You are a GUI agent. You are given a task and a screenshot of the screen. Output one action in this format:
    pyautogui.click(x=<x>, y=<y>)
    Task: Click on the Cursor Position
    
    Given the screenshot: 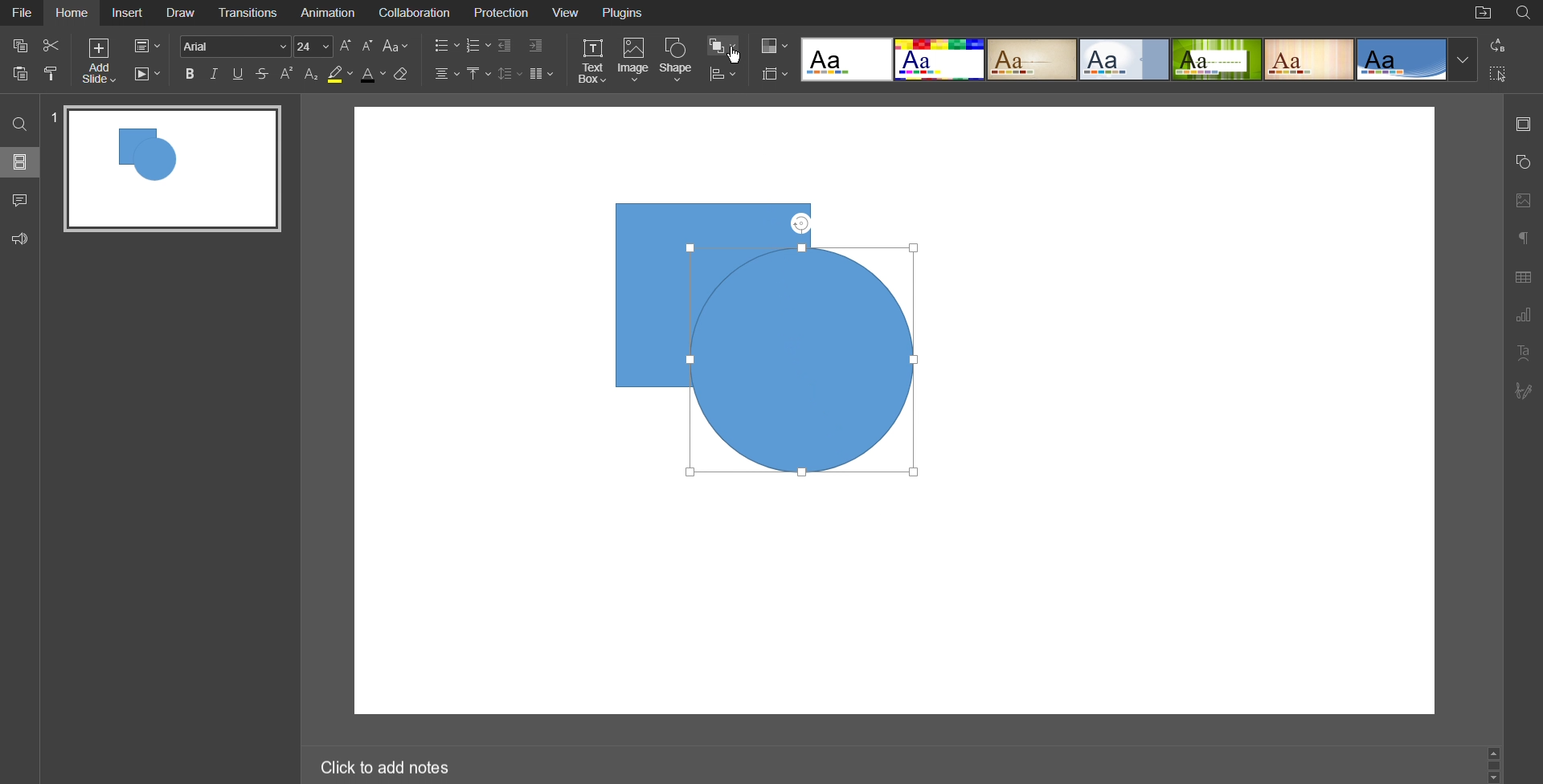 What is the action you would take?
    pyautogui.click(x=735, y=55)
    